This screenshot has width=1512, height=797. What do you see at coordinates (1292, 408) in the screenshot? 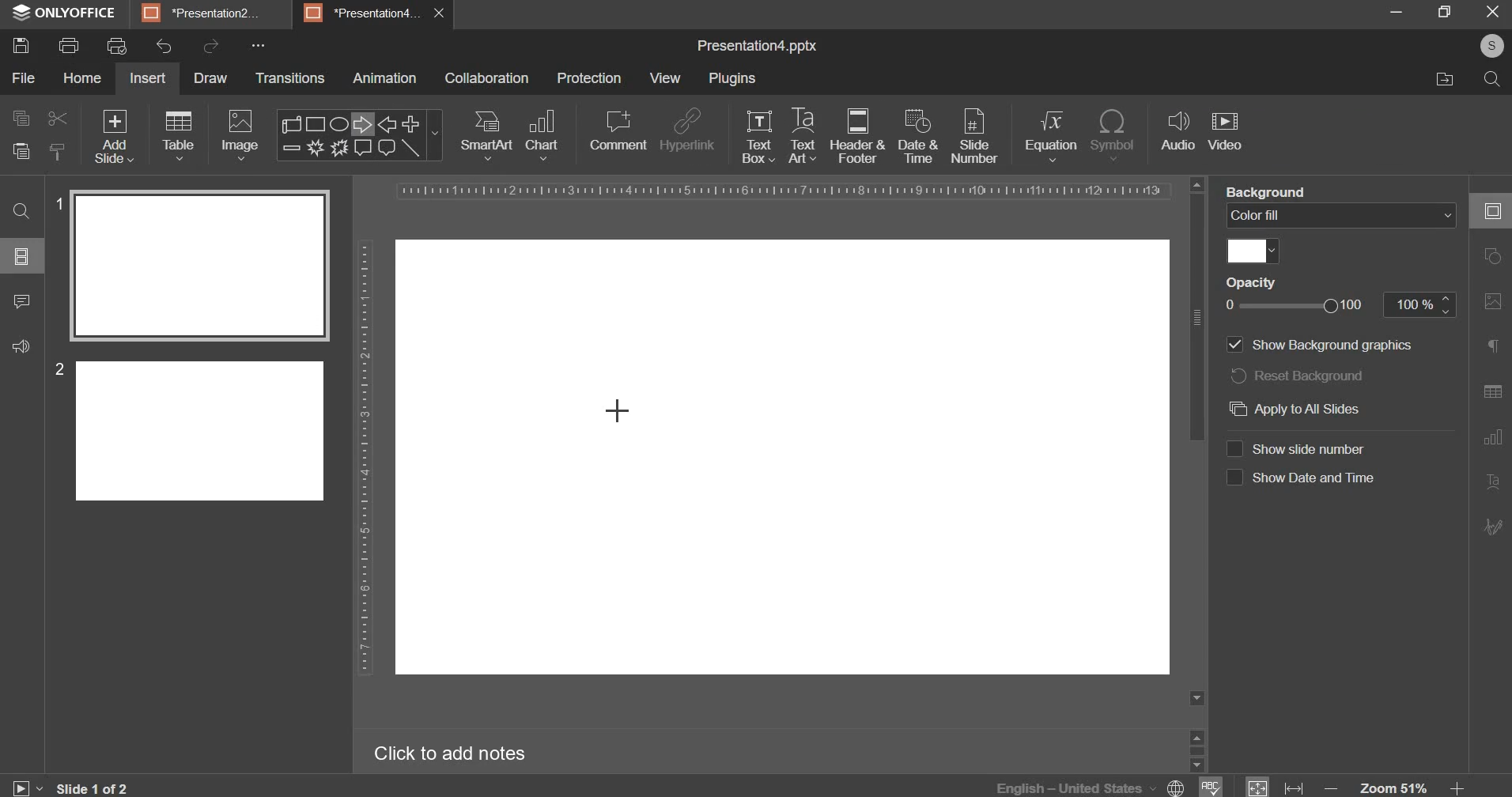
I see `apply to all slides` at bounding box center [1292, 408].